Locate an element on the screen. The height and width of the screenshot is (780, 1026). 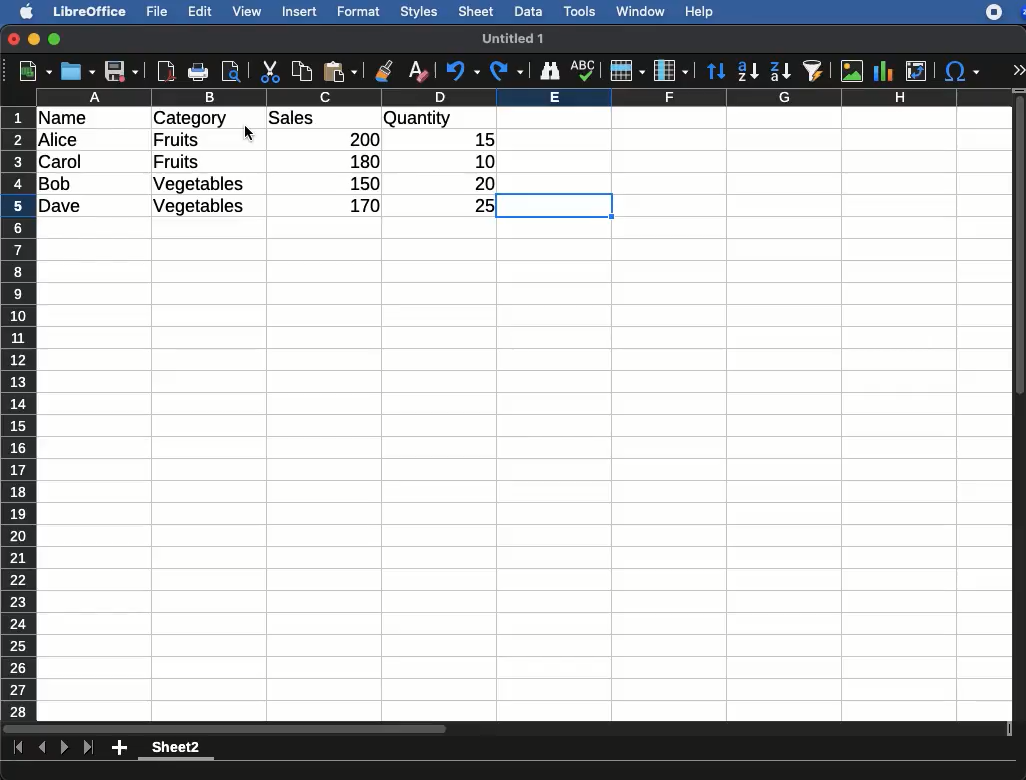
redo is located at coordinates (507, 71).